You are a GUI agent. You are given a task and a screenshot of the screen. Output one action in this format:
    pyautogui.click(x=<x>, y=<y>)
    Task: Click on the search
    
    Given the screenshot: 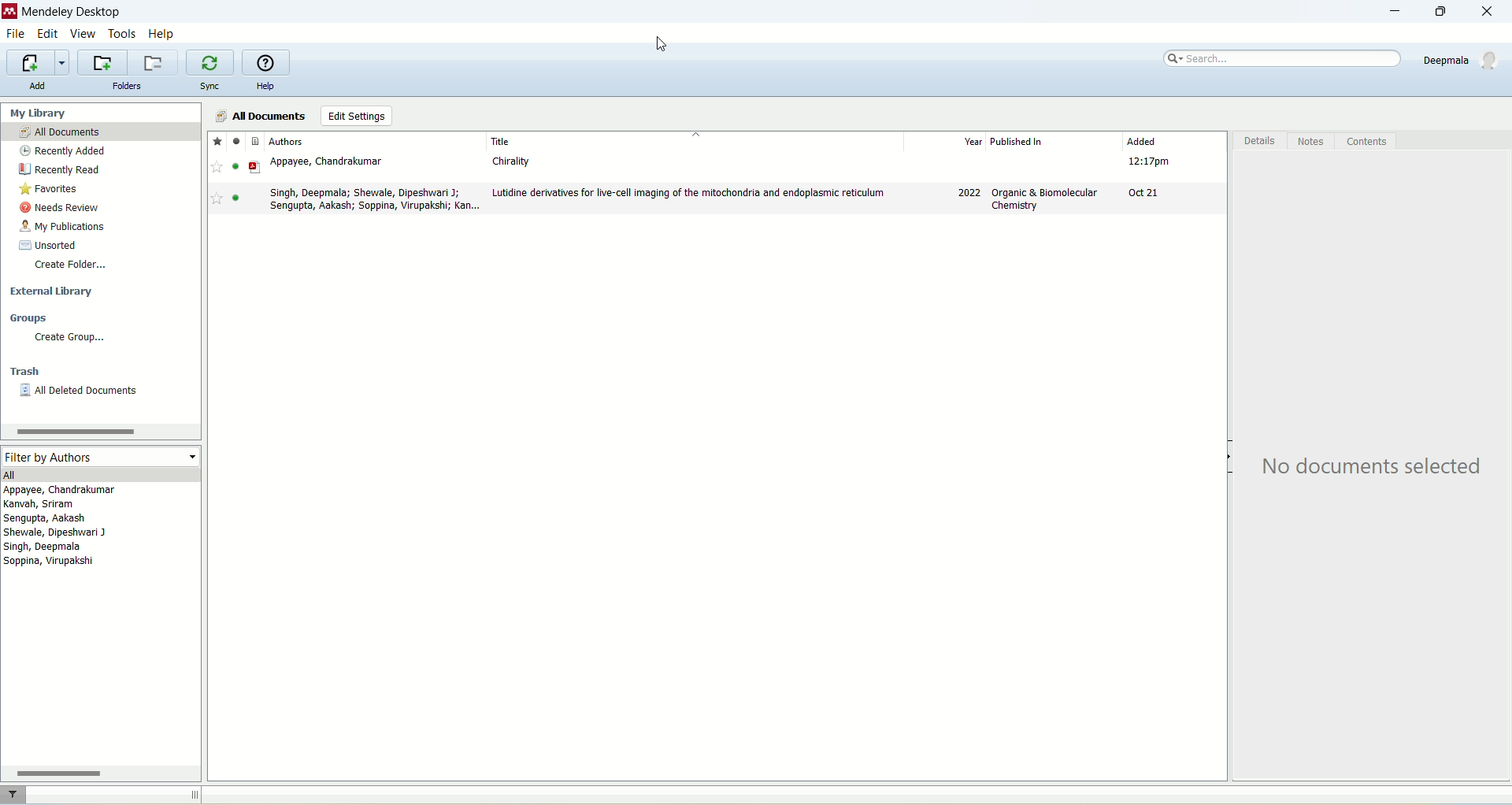 What is the action you would take?
    pyautogui.click(x=1283, y=59)
    